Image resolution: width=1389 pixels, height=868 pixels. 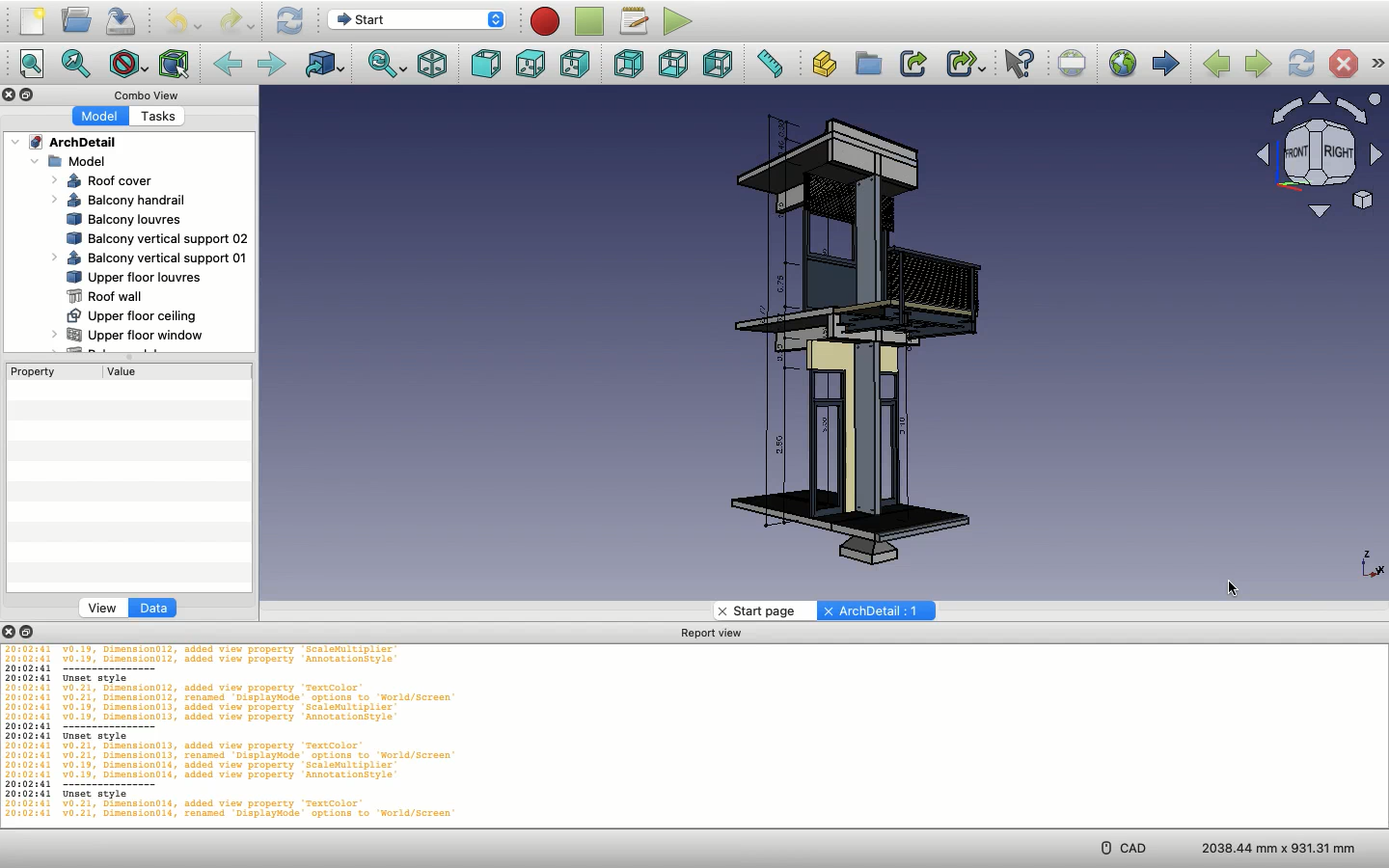 I want to click on view, so click(x=104, y=607).